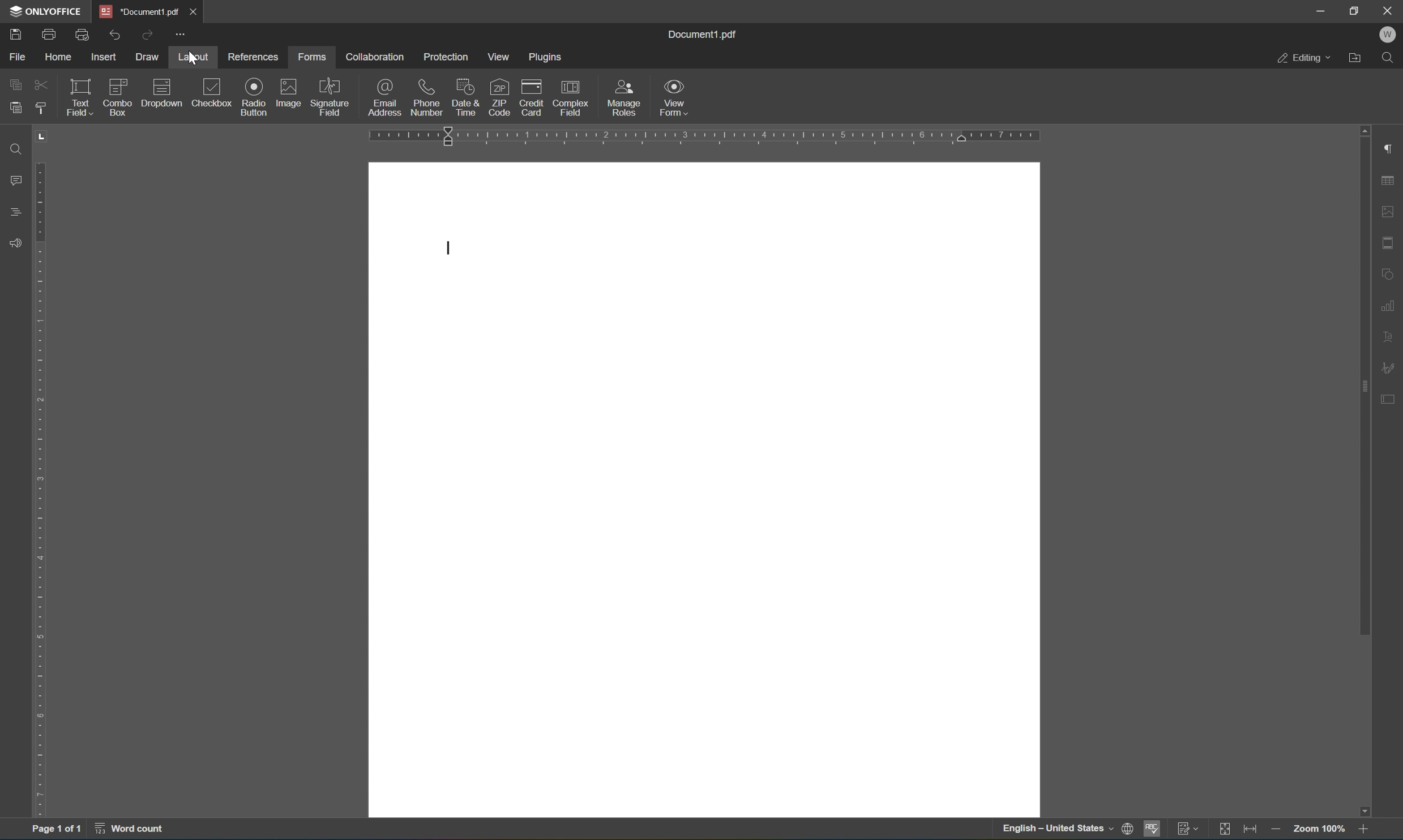  I want to click on editing, so click(1303, 59).